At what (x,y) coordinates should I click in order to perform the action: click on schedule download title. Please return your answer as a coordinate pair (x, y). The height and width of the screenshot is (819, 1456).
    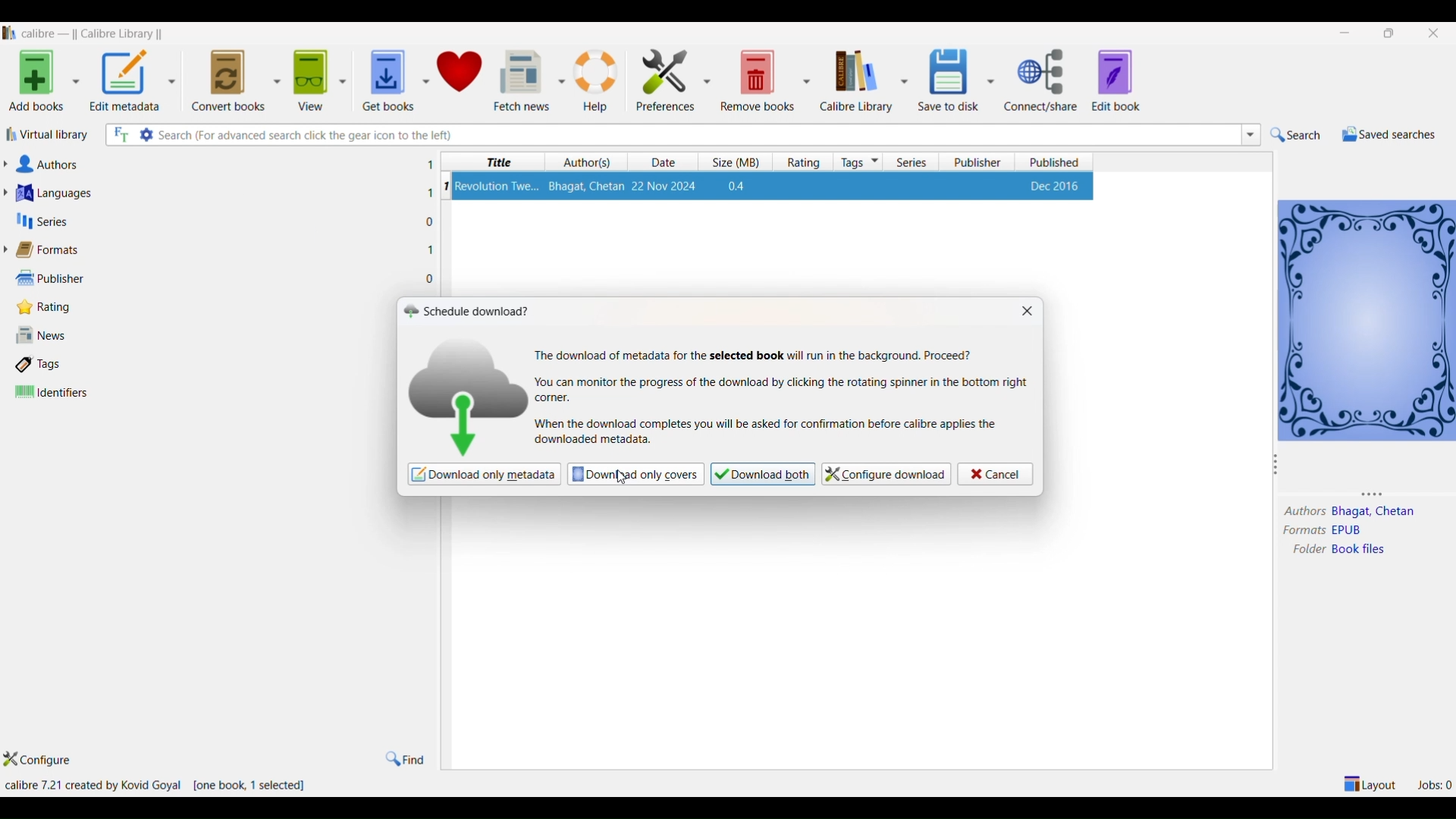
    Looking at the image, I should click on (479, 310).